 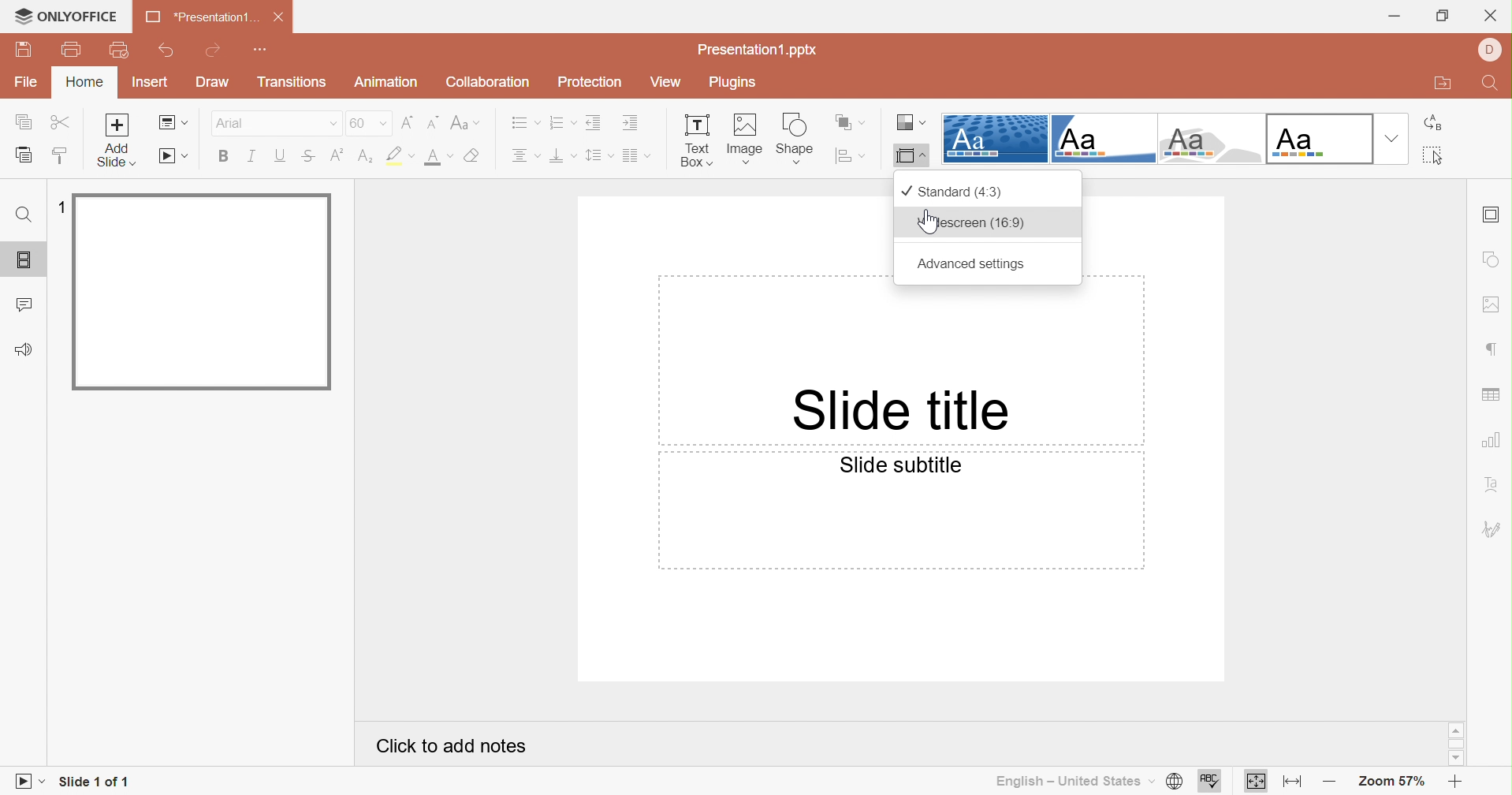 What do you see at coordinates (1492, 528) in the screenshot?
I see `Signature settings` at bounding box center [1492, 528].